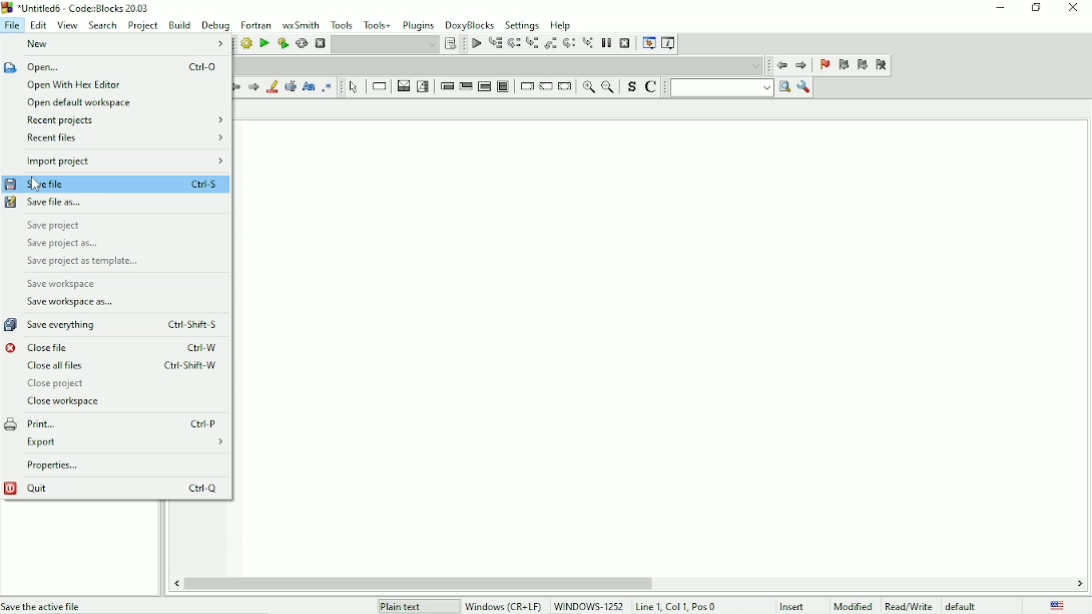 This screenshot has width=1092, height=614. I want to click on Minimize, so click(997, 9).